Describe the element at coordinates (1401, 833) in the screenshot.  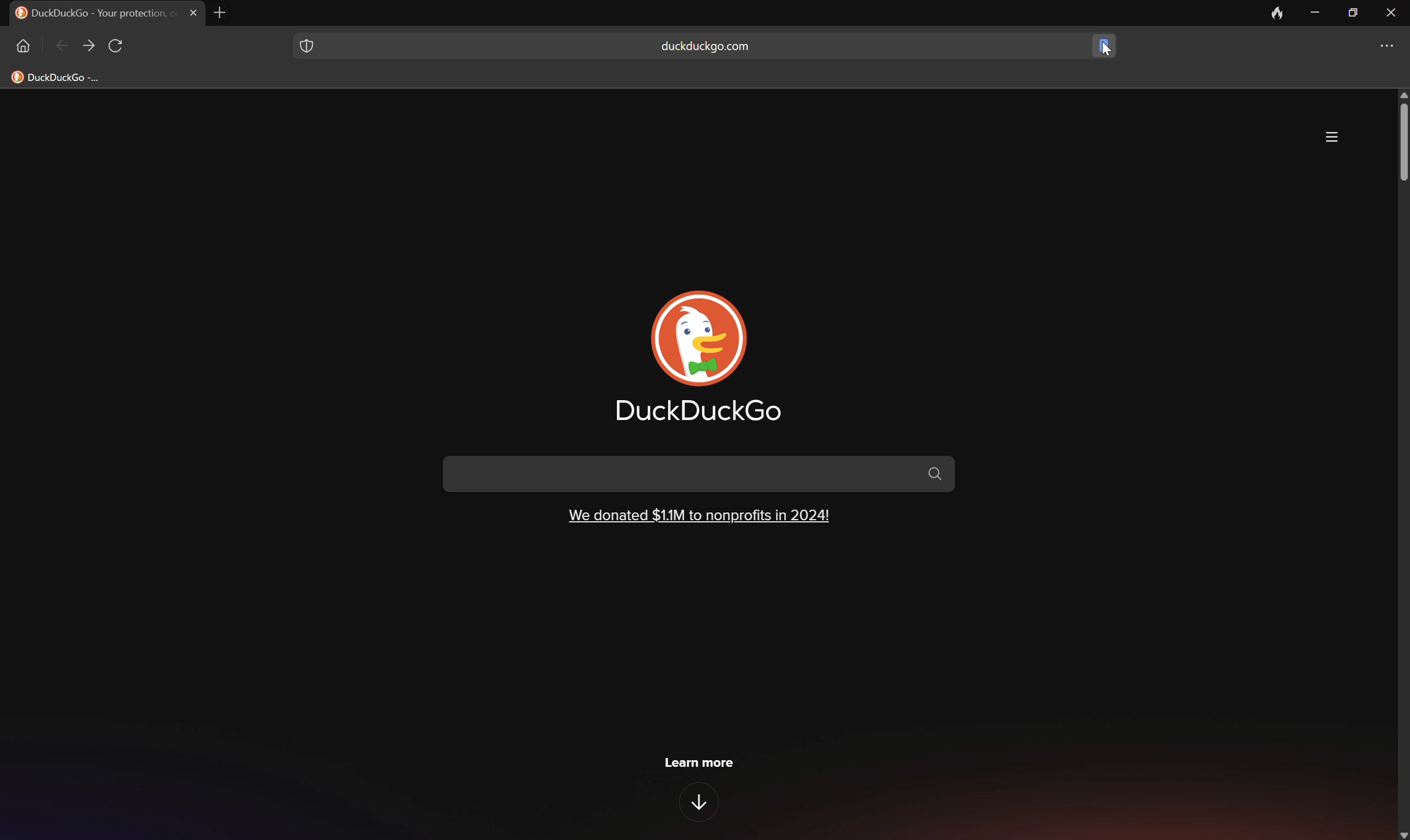
I see `Scroll Down` at that location.